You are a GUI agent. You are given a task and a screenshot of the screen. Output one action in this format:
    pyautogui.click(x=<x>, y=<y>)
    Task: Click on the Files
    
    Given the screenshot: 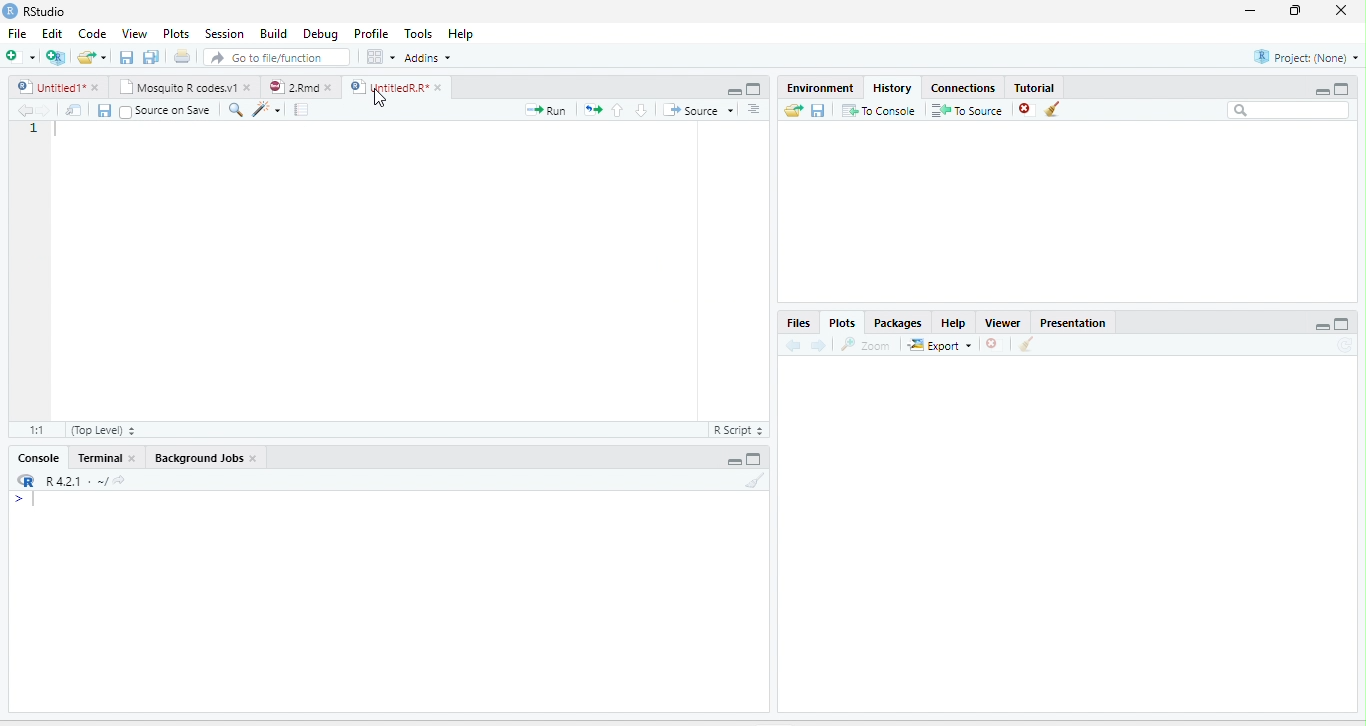 What is the action you would take?
    pyautogui.click(x=799, y=323)
    